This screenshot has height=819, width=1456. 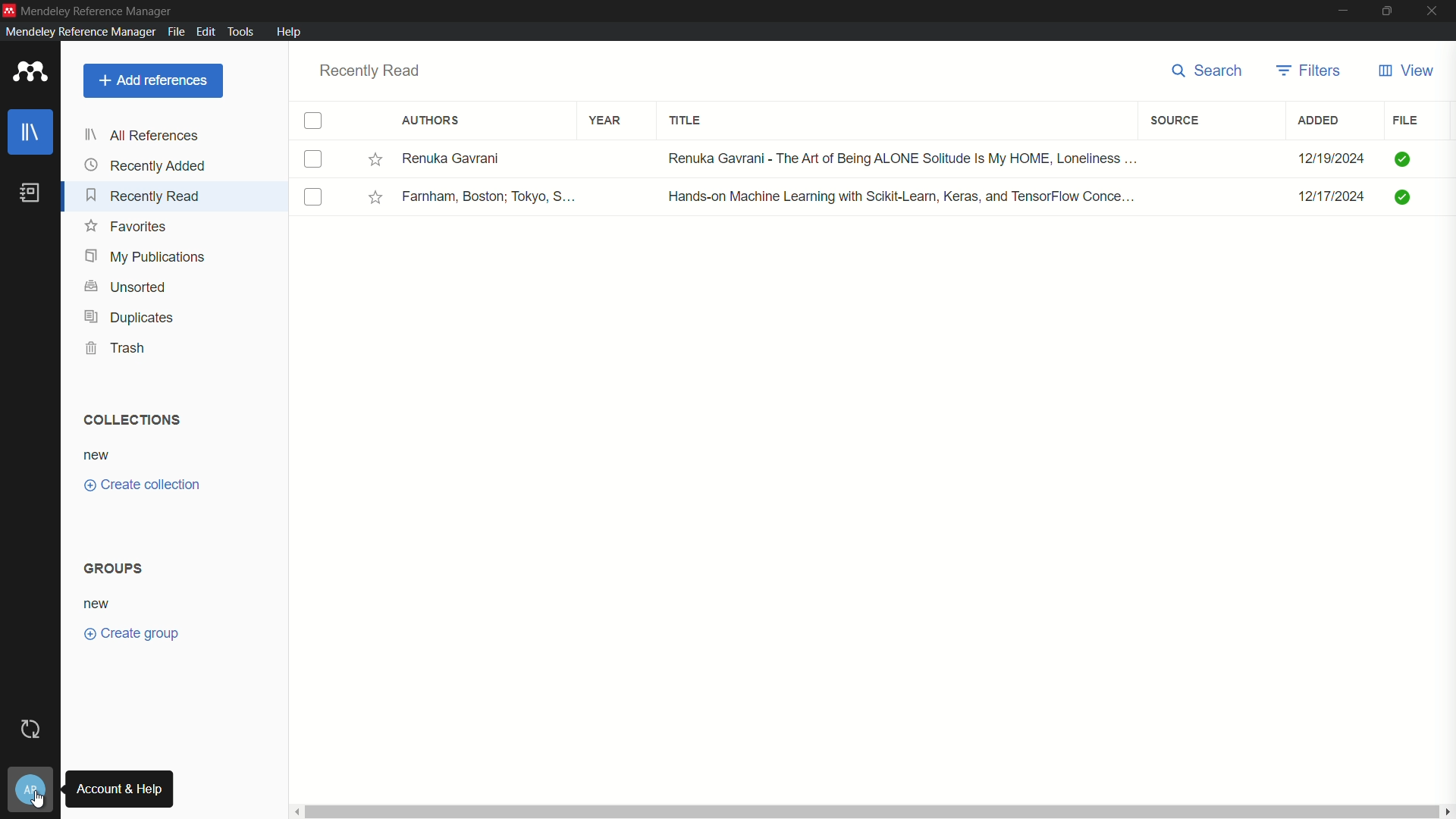 I want to click on create collection, so click(x=140, y=485).